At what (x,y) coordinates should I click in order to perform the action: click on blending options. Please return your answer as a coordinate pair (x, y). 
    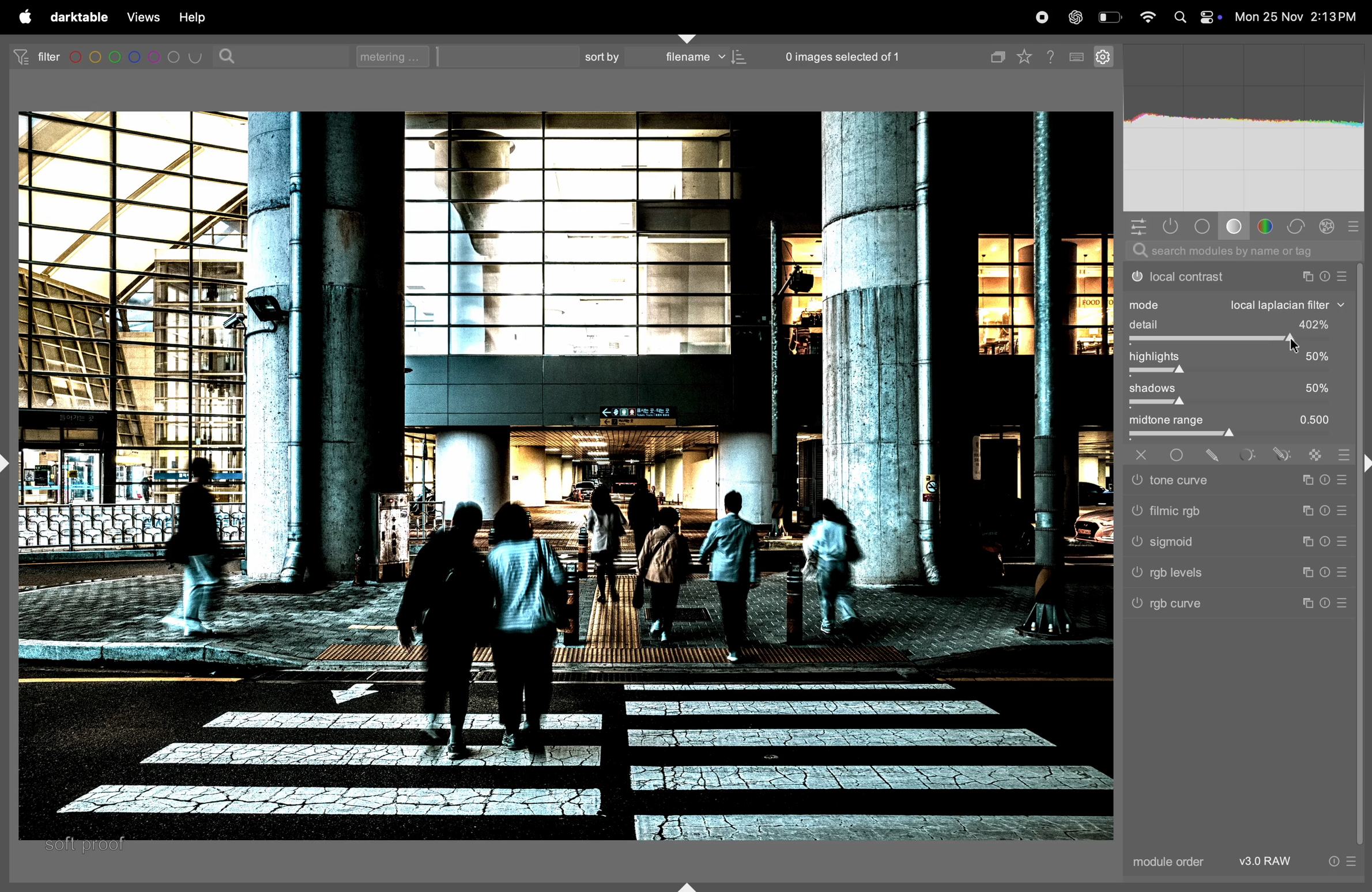
    Looking at the image, I should click on (1343, 452).